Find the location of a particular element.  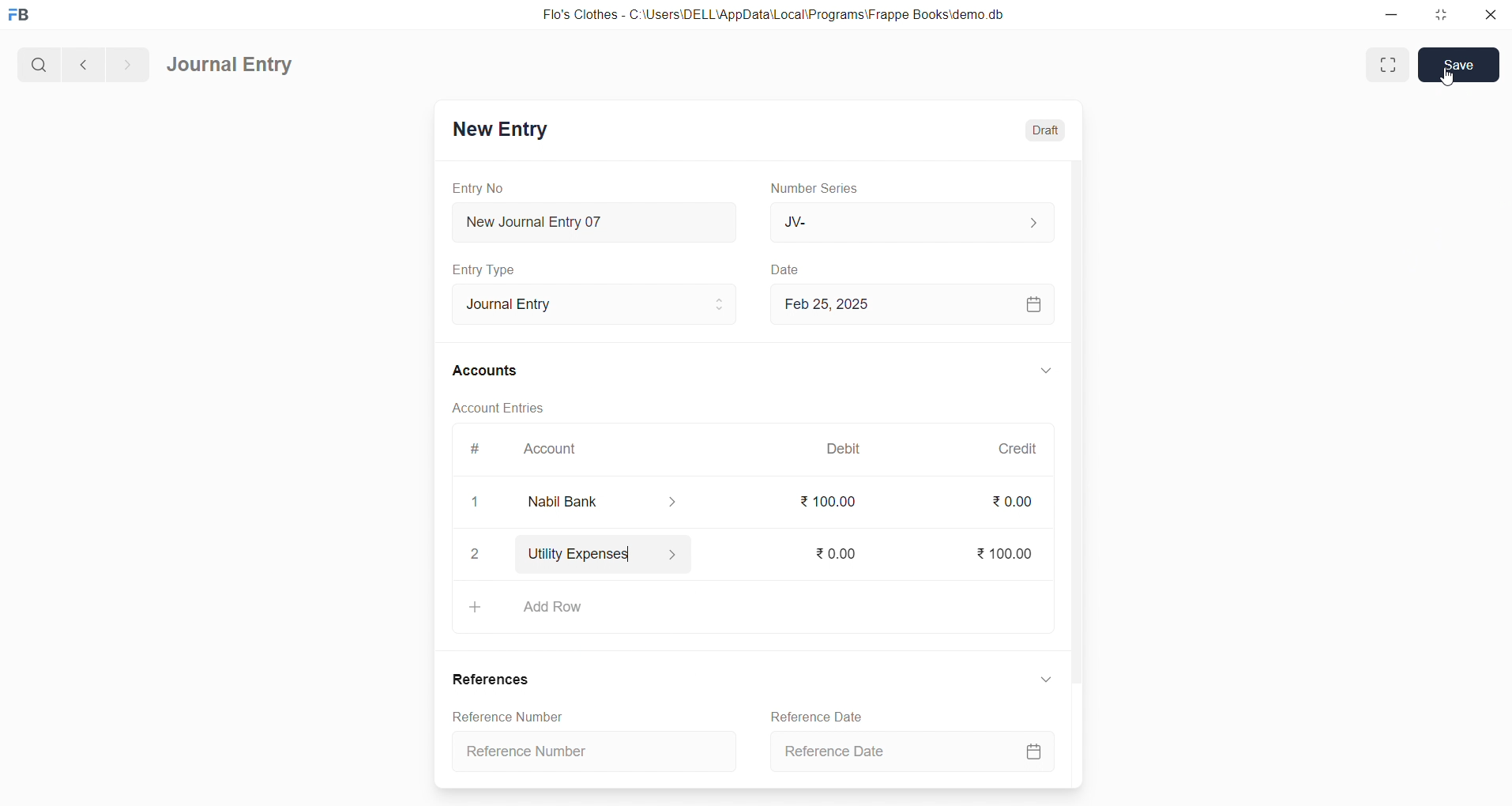

New Entry is located at coordinates (499, 129).